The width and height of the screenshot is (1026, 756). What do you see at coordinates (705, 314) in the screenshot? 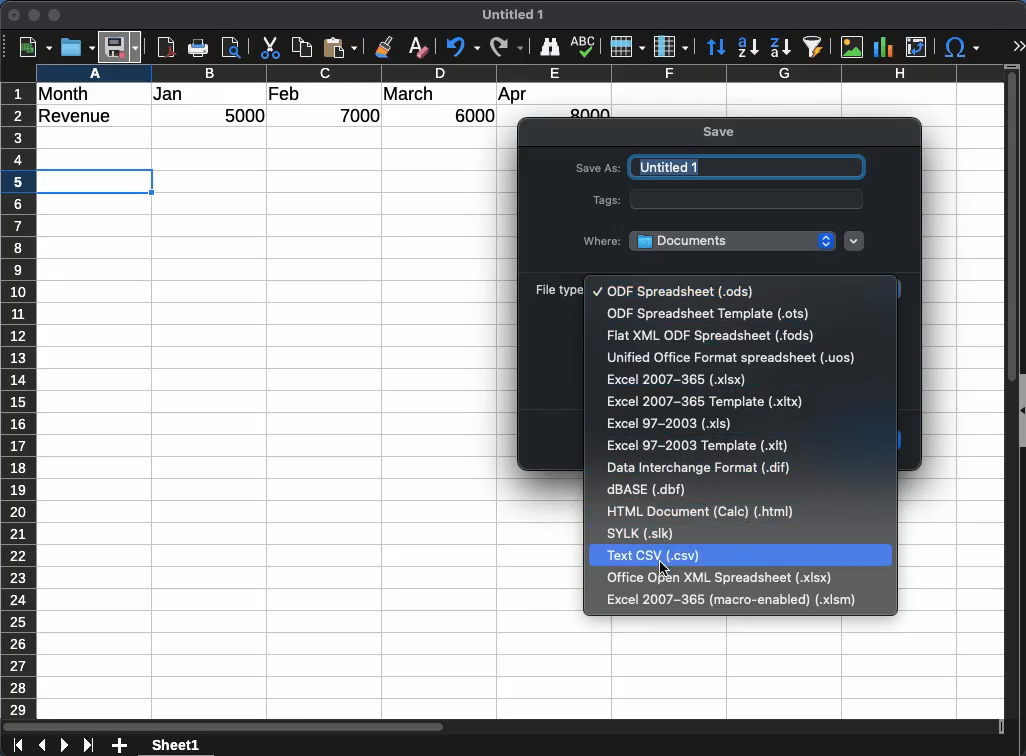
I see `odf spreadsheet template` at bounding box center [705, 314].